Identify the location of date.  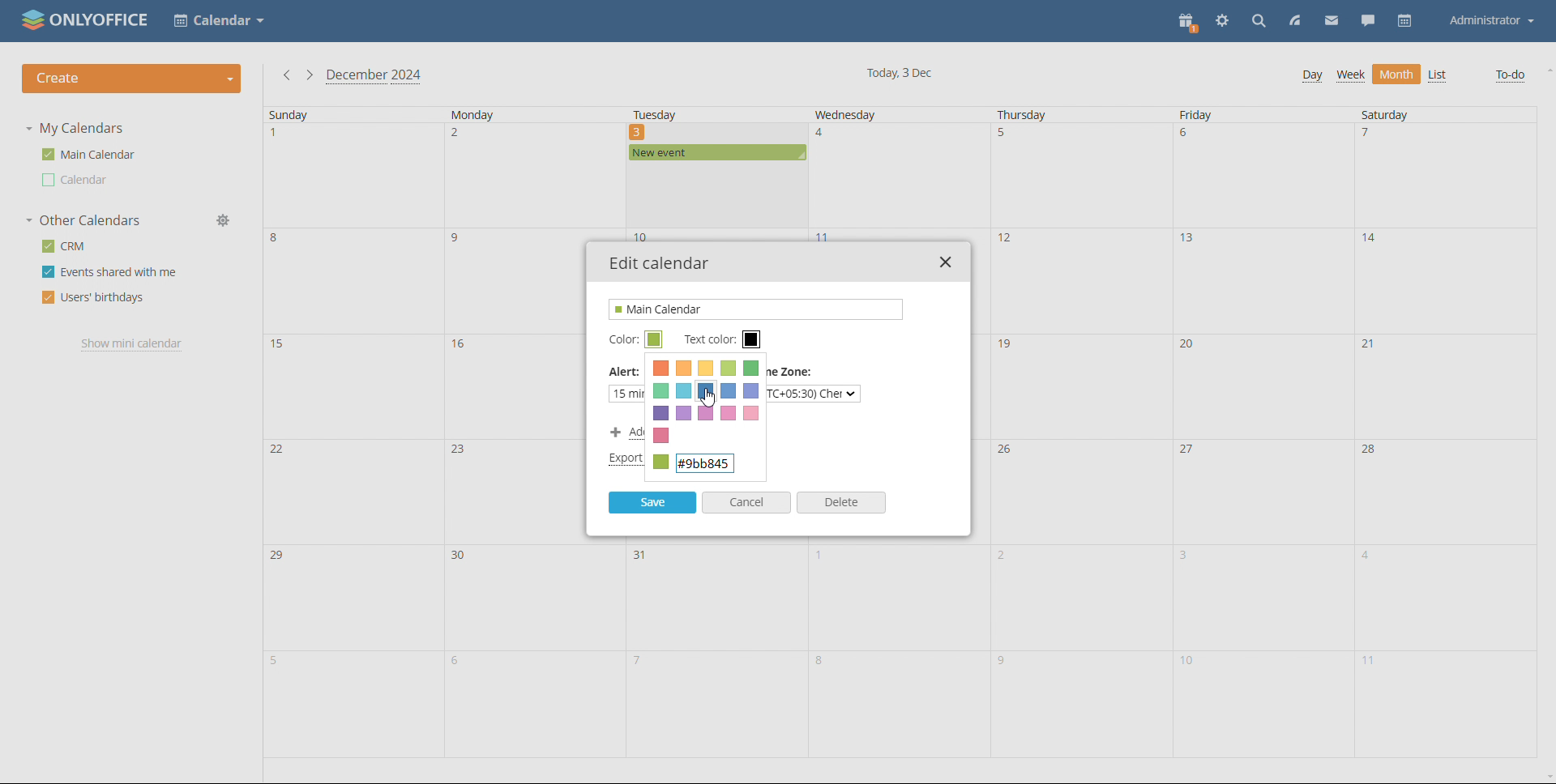
(1443, 177).